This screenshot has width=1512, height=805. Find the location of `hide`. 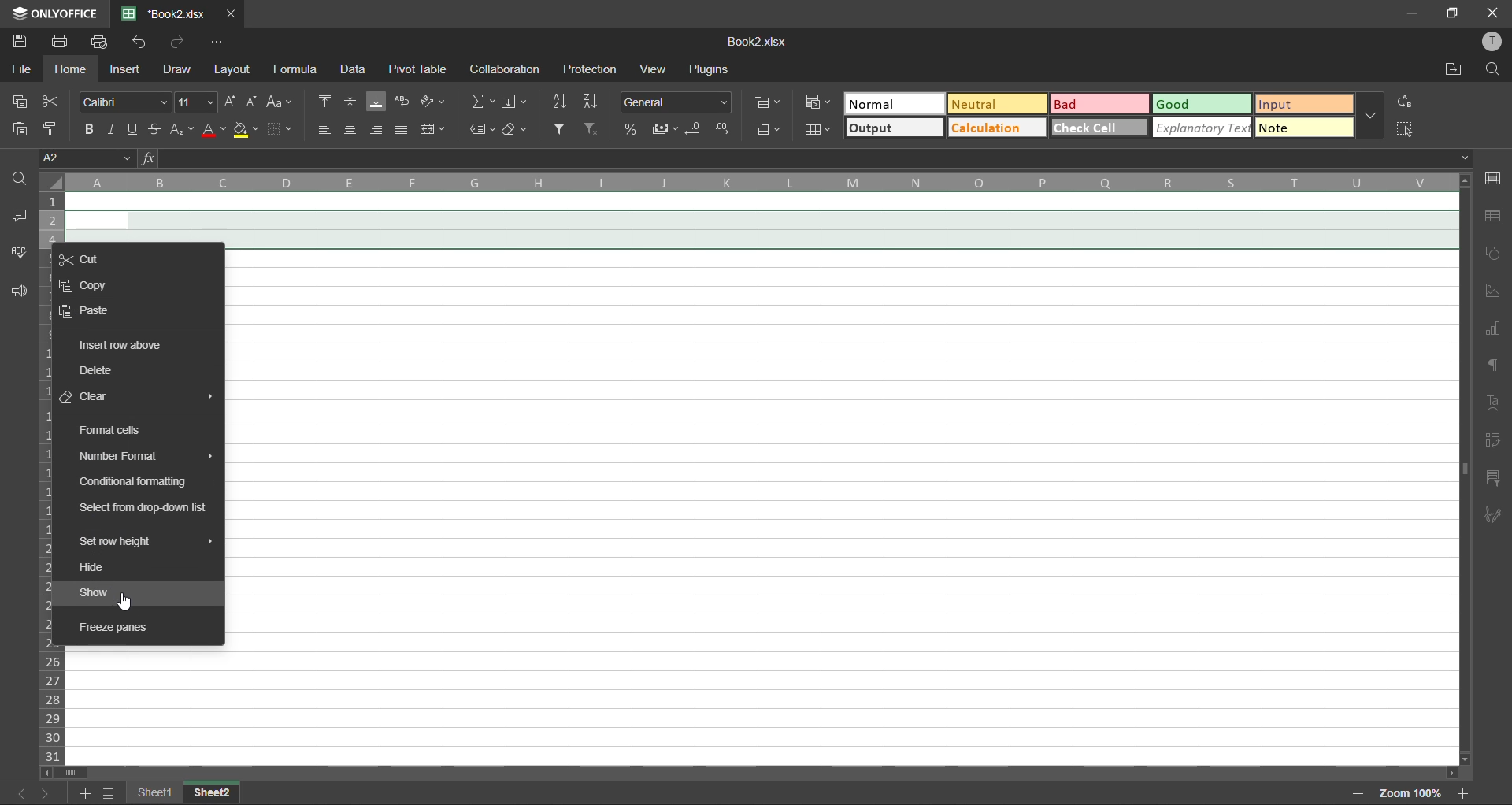

hide is located at coordinates (93, 566).